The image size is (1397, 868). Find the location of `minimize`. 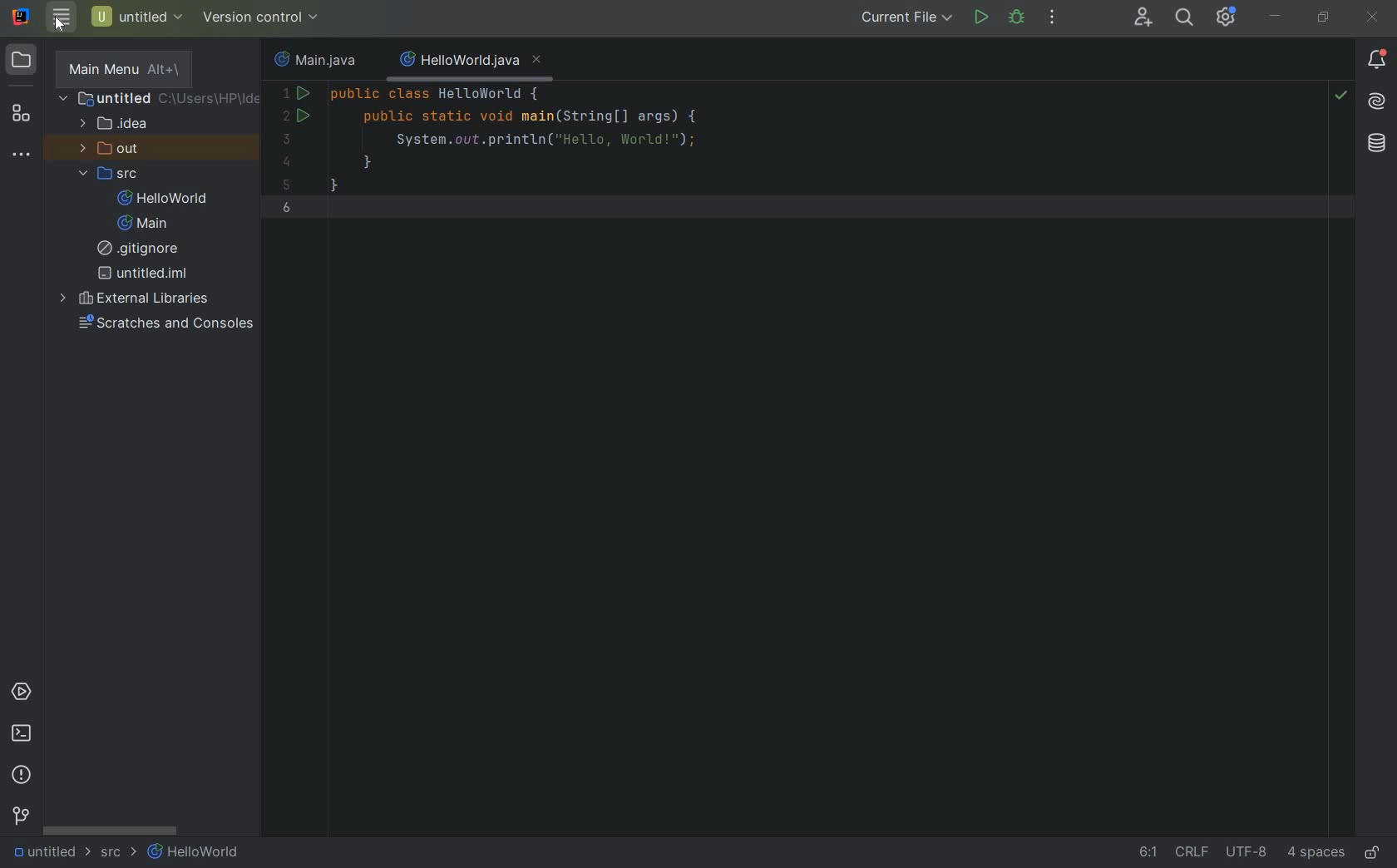

minimize is located at coordinates (1273, 16).